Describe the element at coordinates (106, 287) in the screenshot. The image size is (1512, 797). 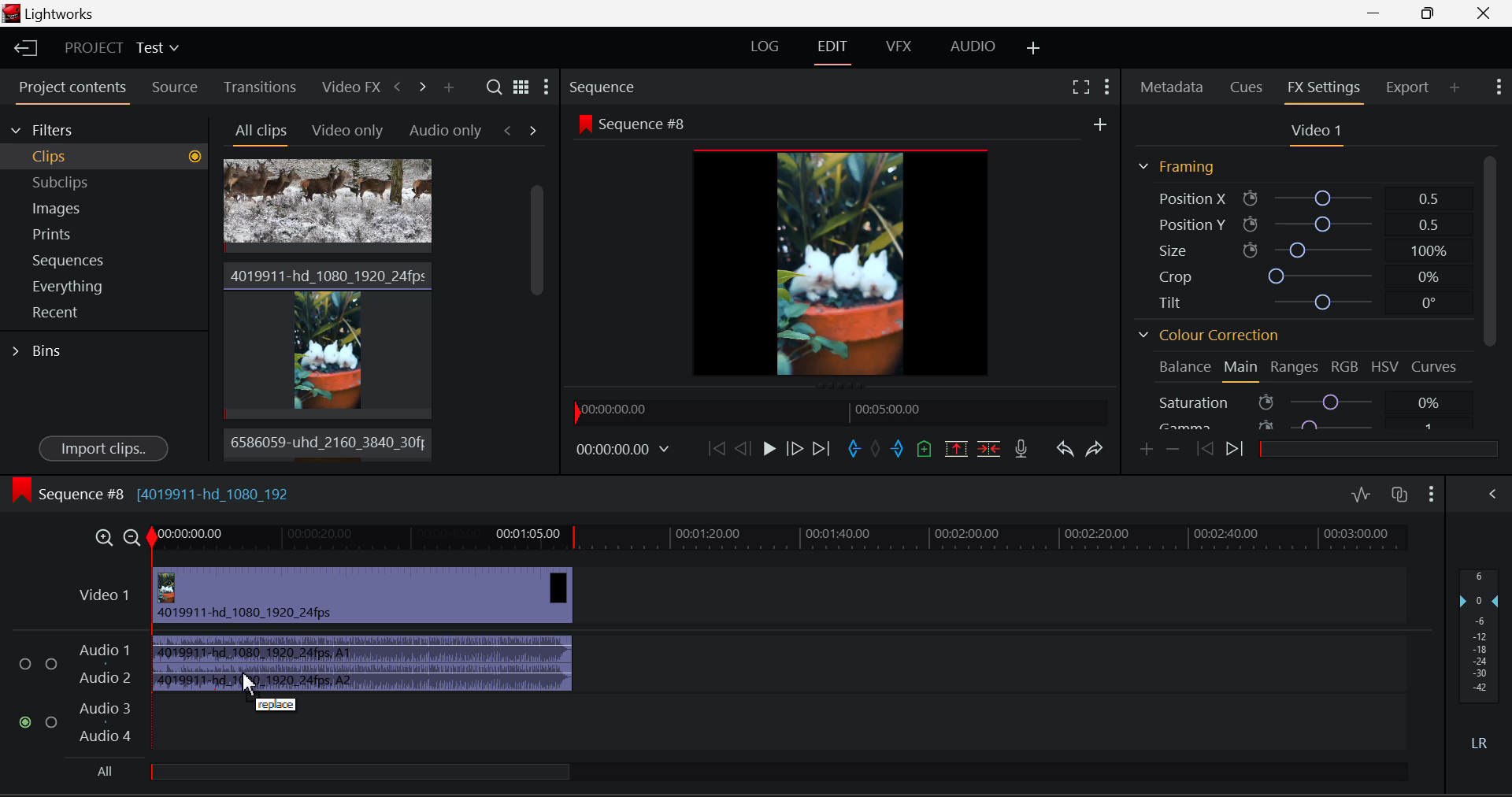
I see `Everything` at that location.